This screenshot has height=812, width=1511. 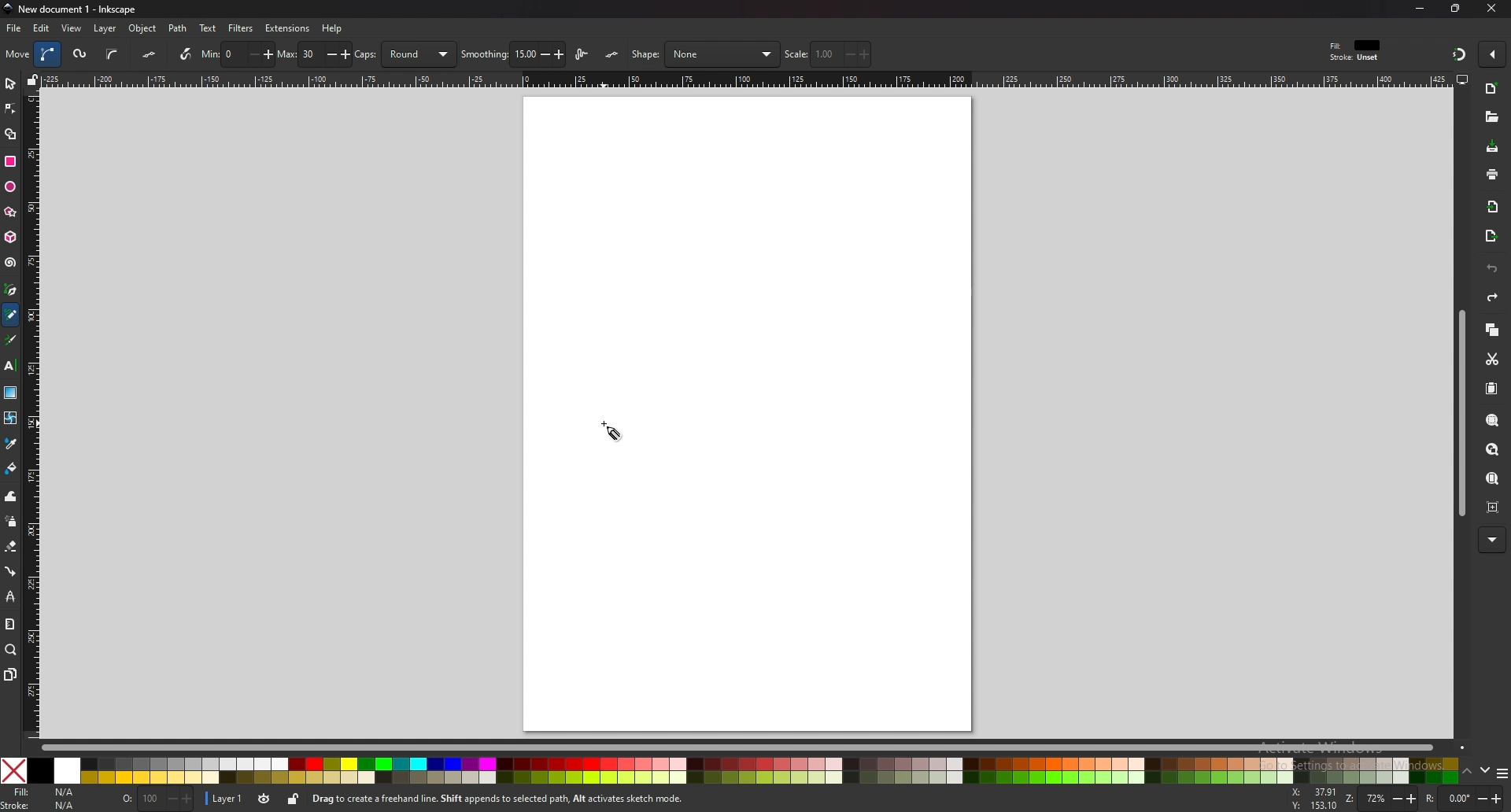 I want to click on paste, so click(x=1491, y=389).